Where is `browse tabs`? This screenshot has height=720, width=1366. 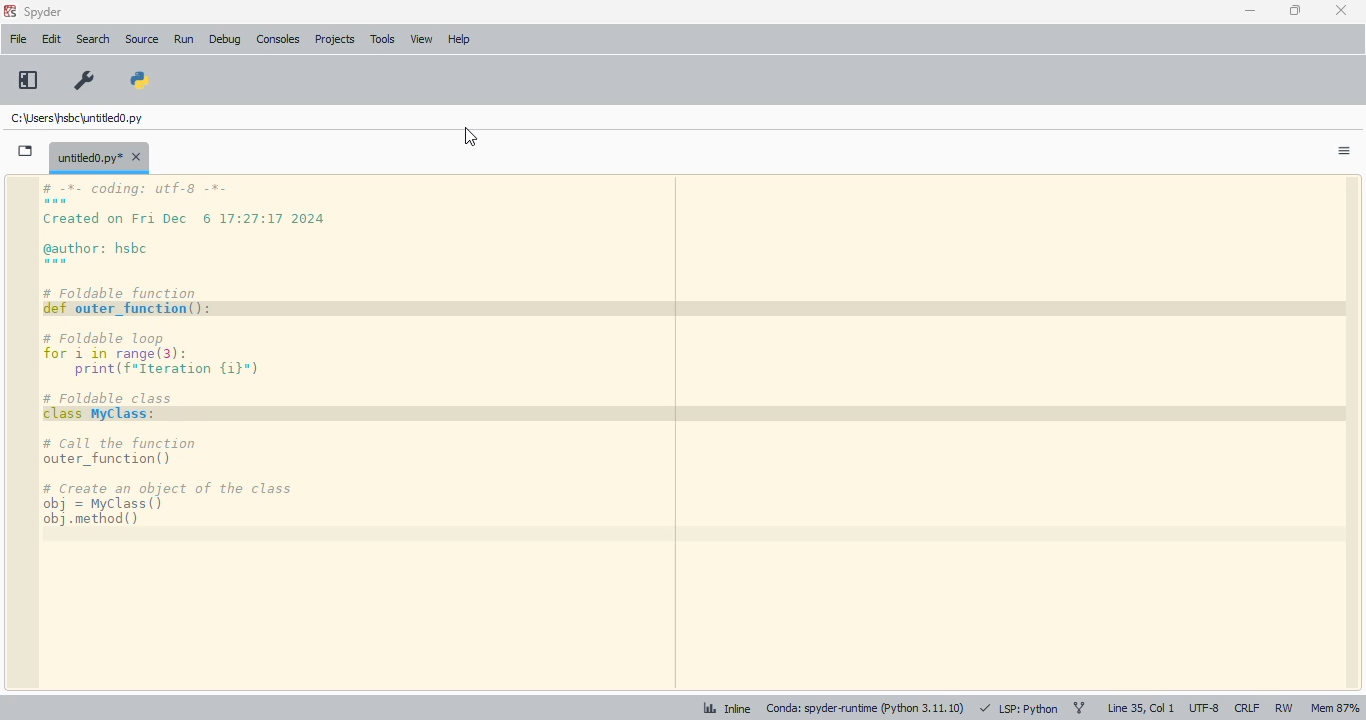
browse tabs is located at coordinates (27, 151).